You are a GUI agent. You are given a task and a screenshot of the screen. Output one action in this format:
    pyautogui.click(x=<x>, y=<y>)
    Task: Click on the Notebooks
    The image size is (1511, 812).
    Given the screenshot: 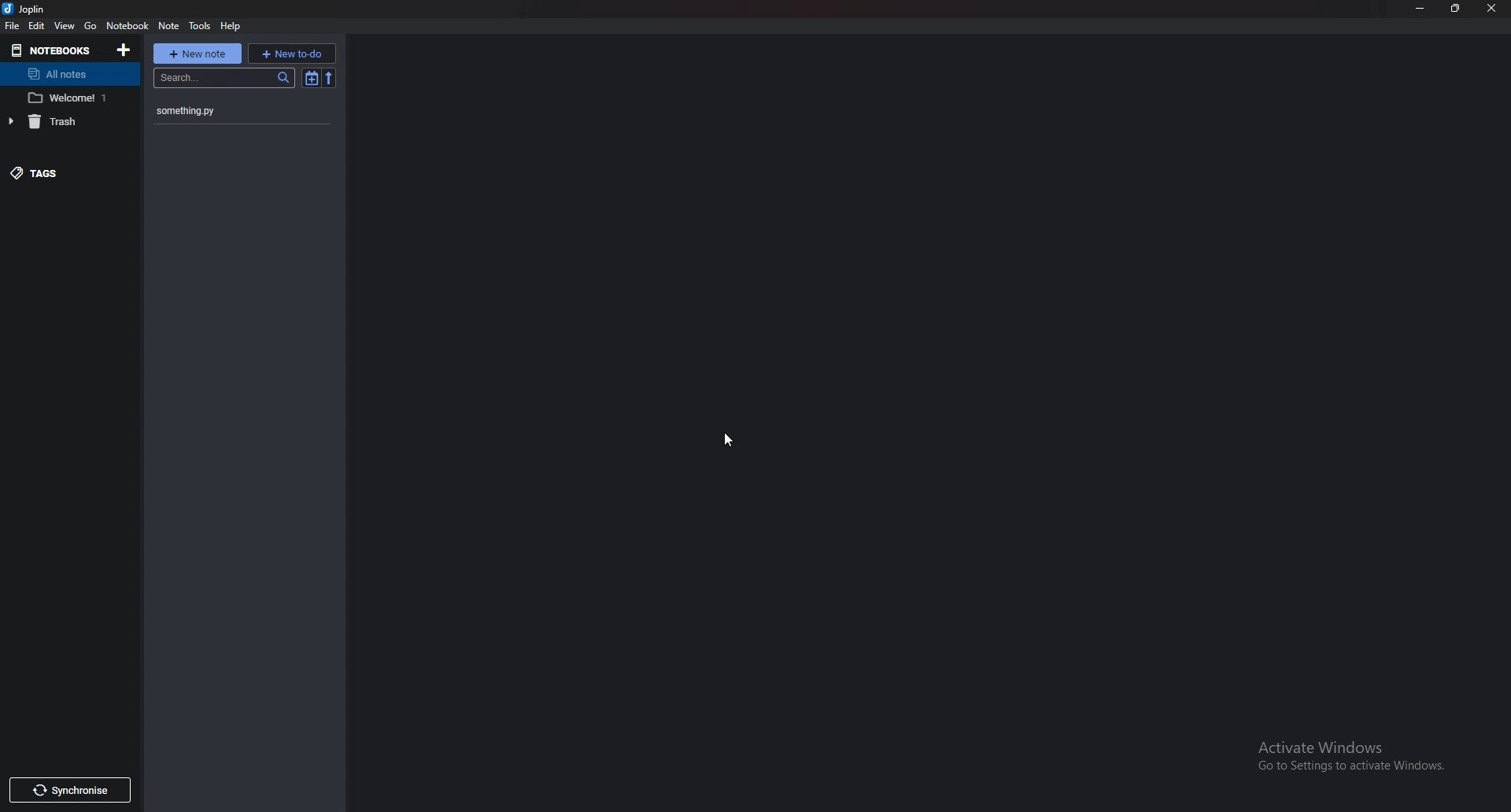 What is the action you would take?
    pyautogui.click(x=54, y=50)
    